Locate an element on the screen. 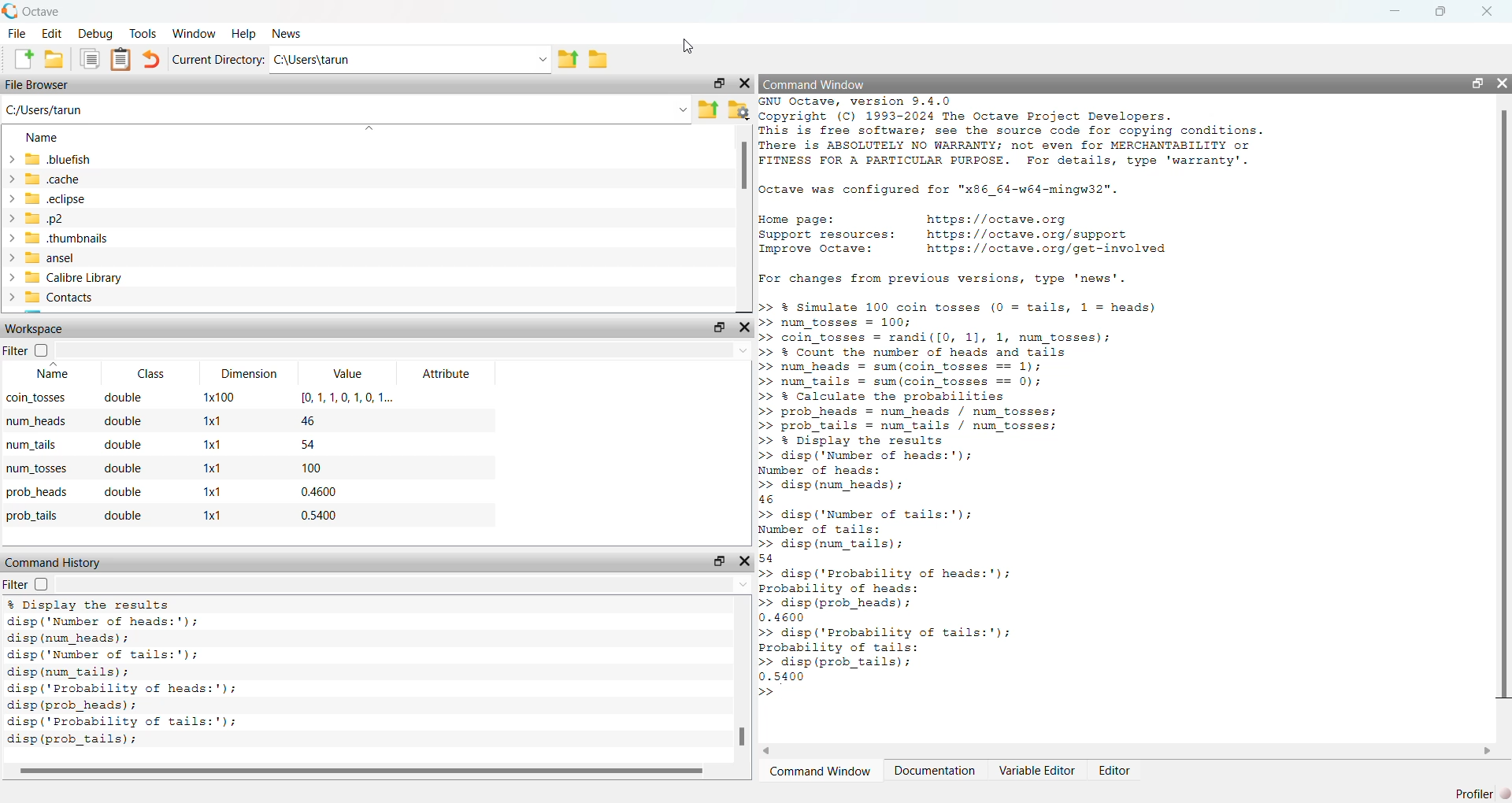 Image resolution: width=1512 pixels, height=803 pixels. Help is located at coordinates (246, 33).